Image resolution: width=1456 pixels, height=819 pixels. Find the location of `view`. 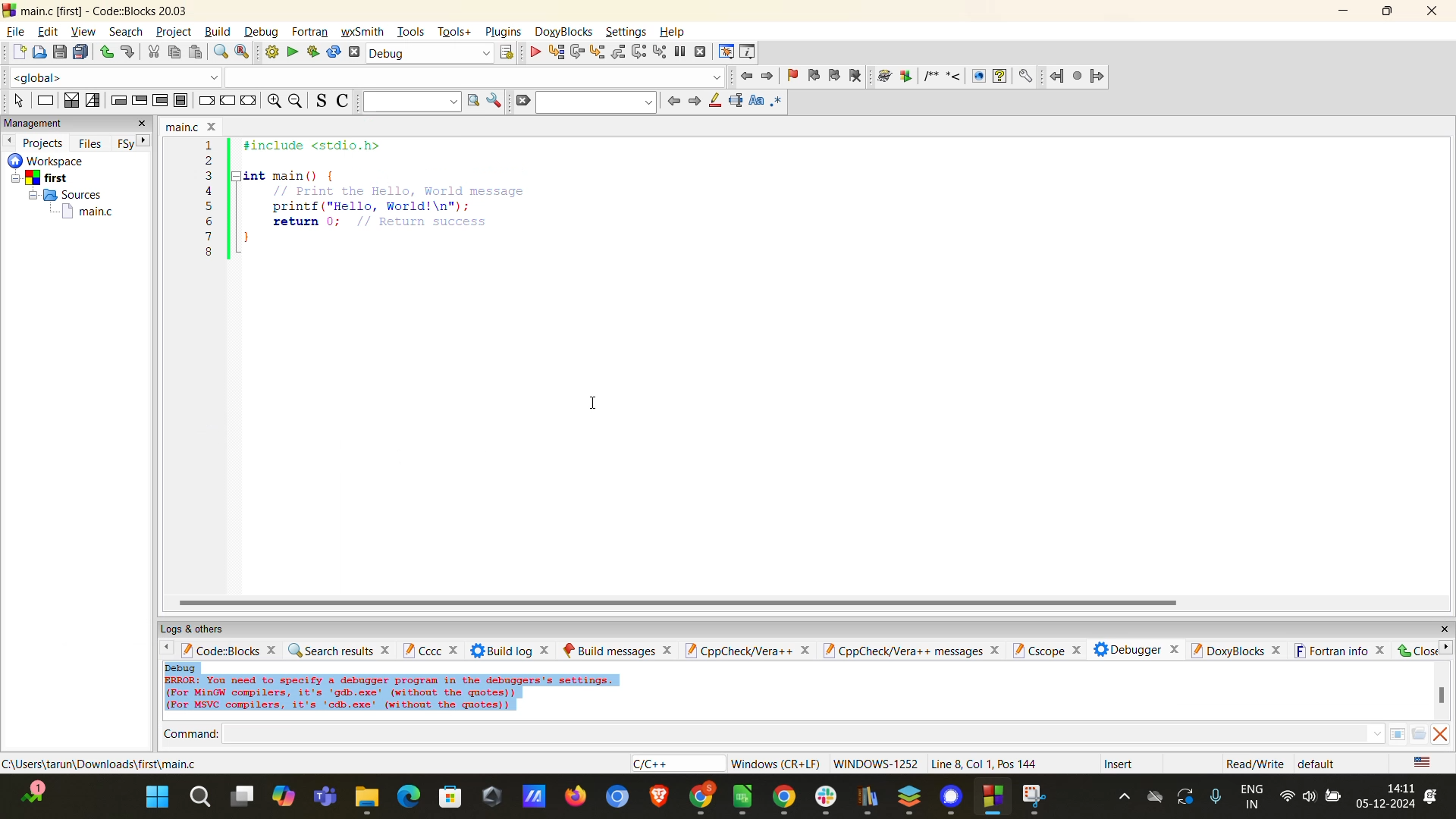

view is located at coordinates (84, 33).